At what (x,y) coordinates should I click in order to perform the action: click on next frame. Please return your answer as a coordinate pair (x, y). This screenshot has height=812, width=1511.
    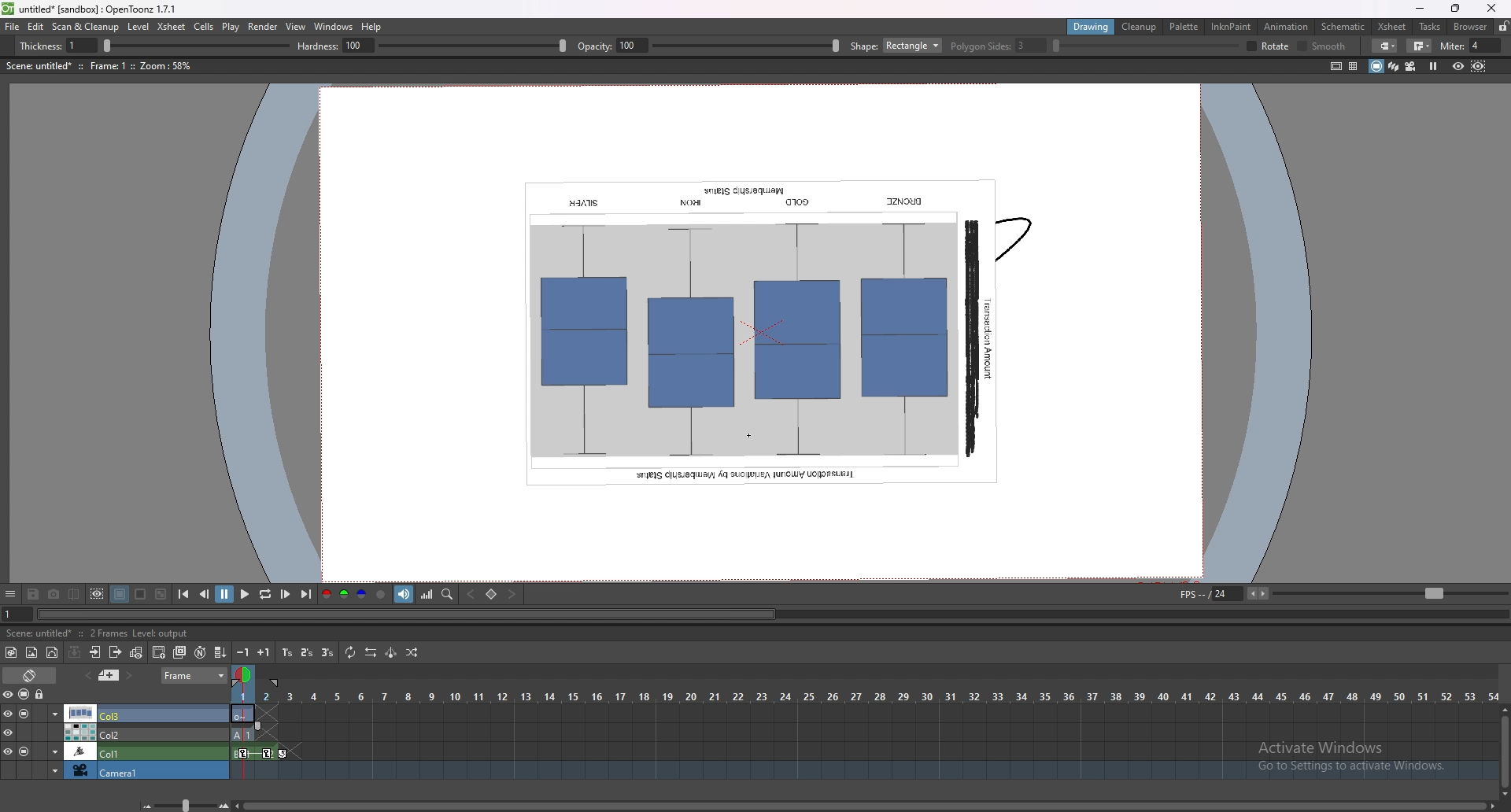
    Looking at the image, I should click on (286, 594).